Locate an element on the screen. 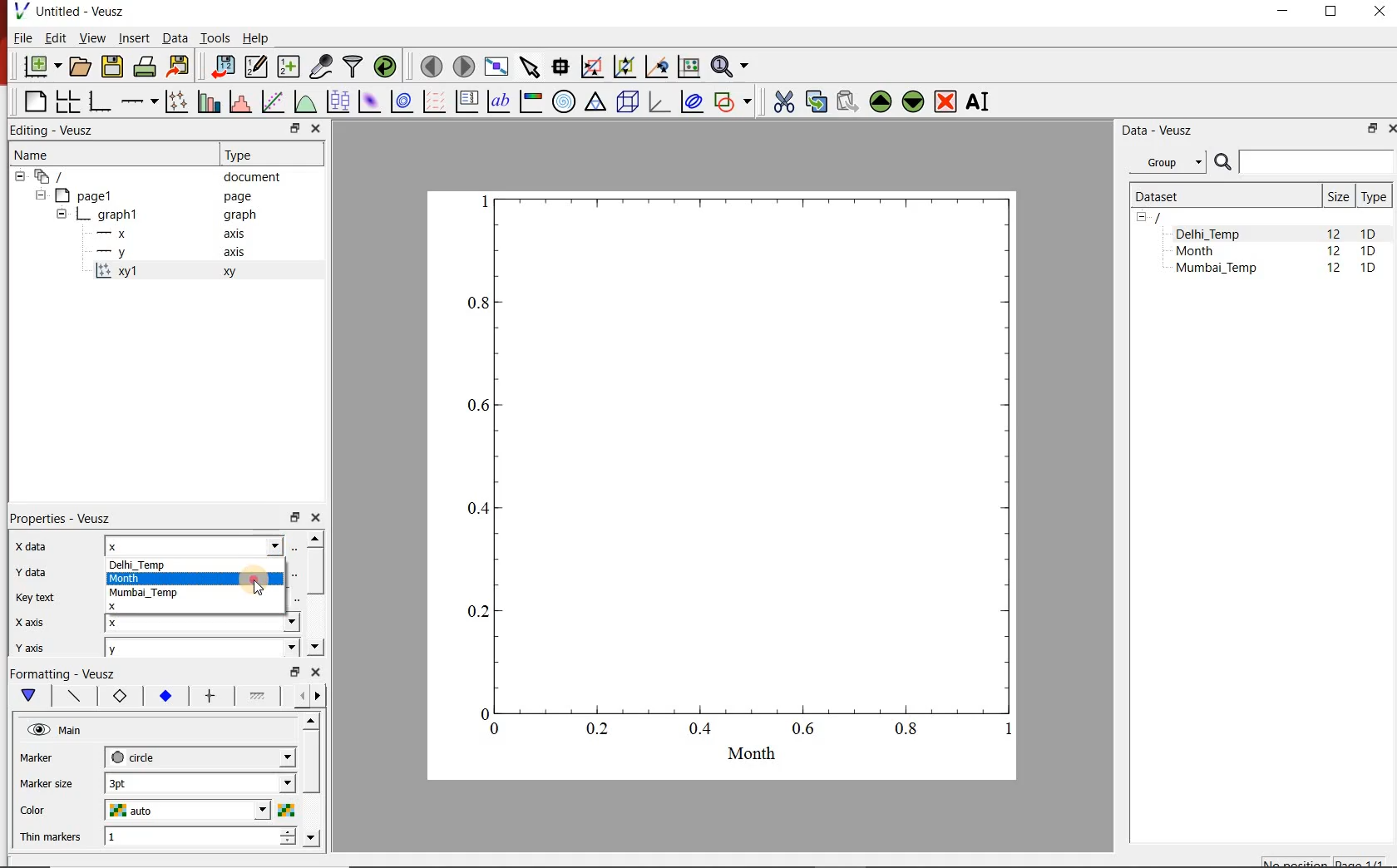 This screenshot has width=1397, height=868. Untitled-Veusz is located at coordinates (74, 11).